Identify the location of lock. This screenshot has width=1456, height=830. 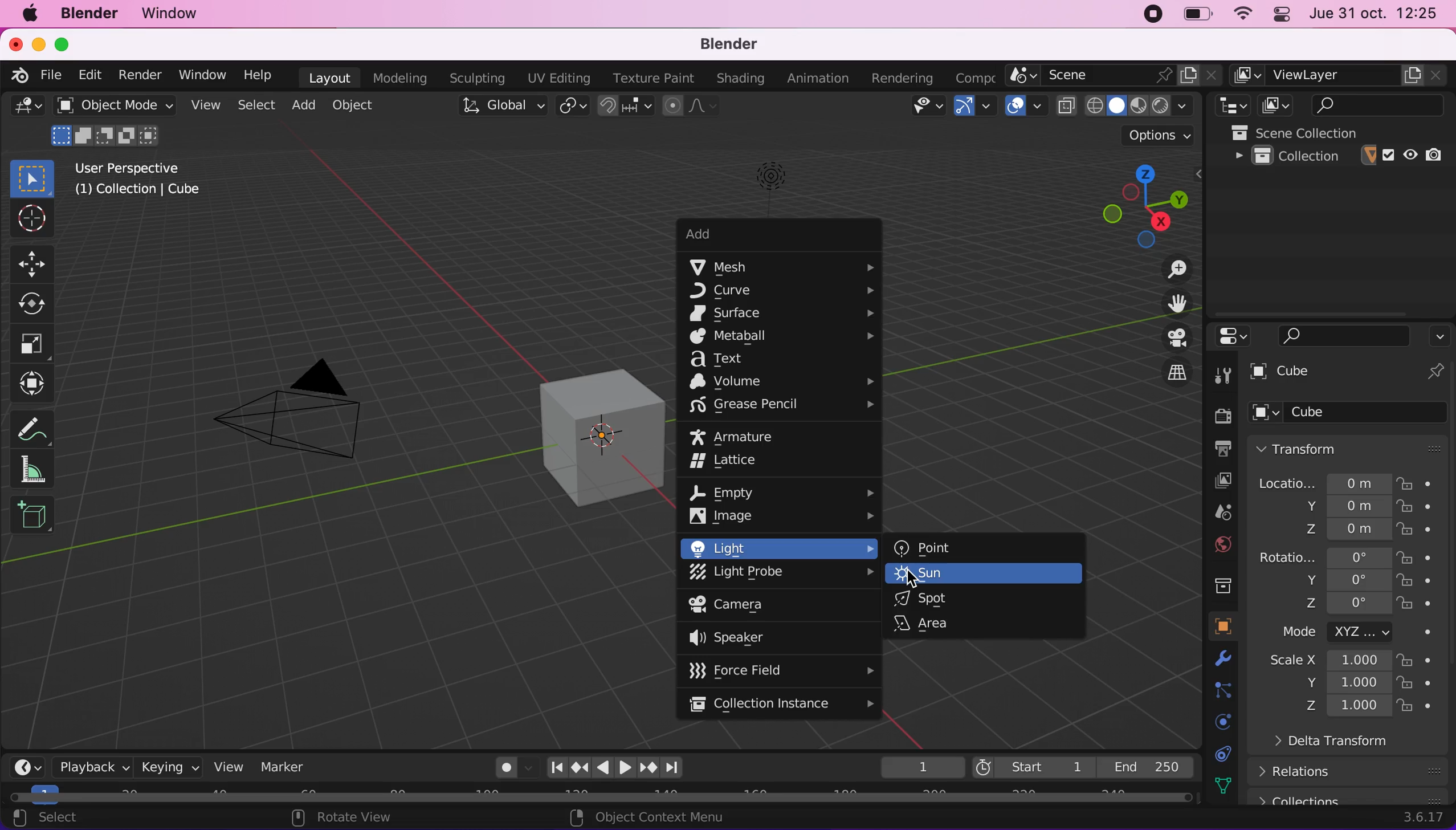
(1427, 605).